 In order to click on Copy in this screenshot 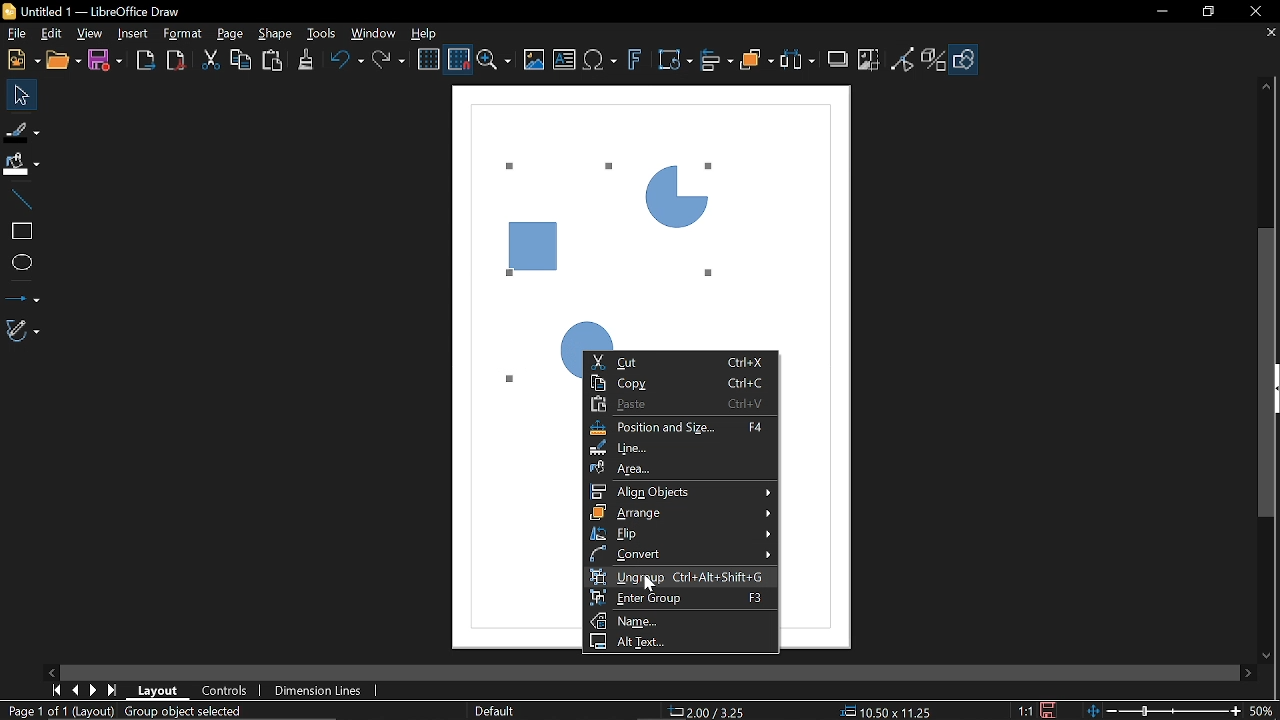, I will do `click(680, 383)`.